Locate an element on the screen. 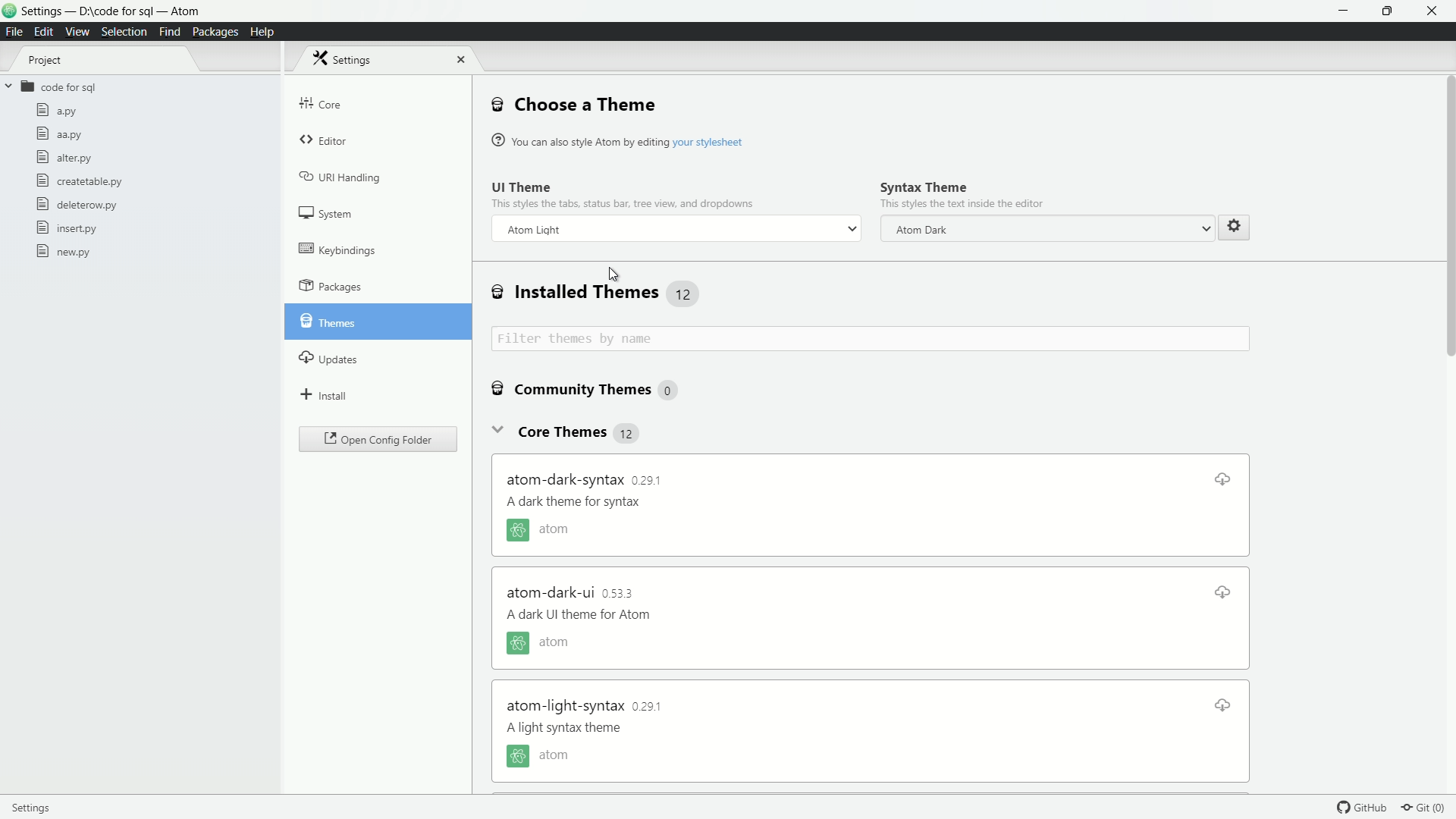  filter themes by name is located at coordinates (721, 339).